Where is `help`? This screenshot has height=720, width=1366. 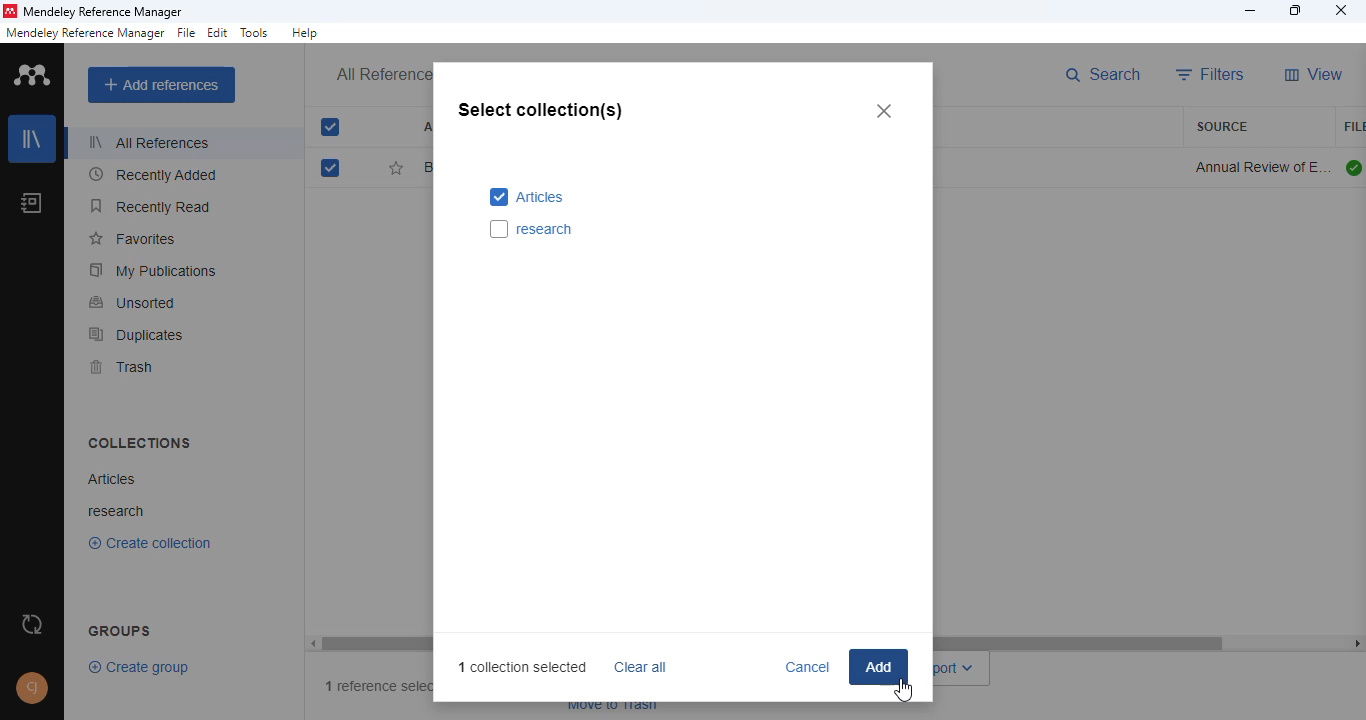
help is located at coordinates (308, 31).